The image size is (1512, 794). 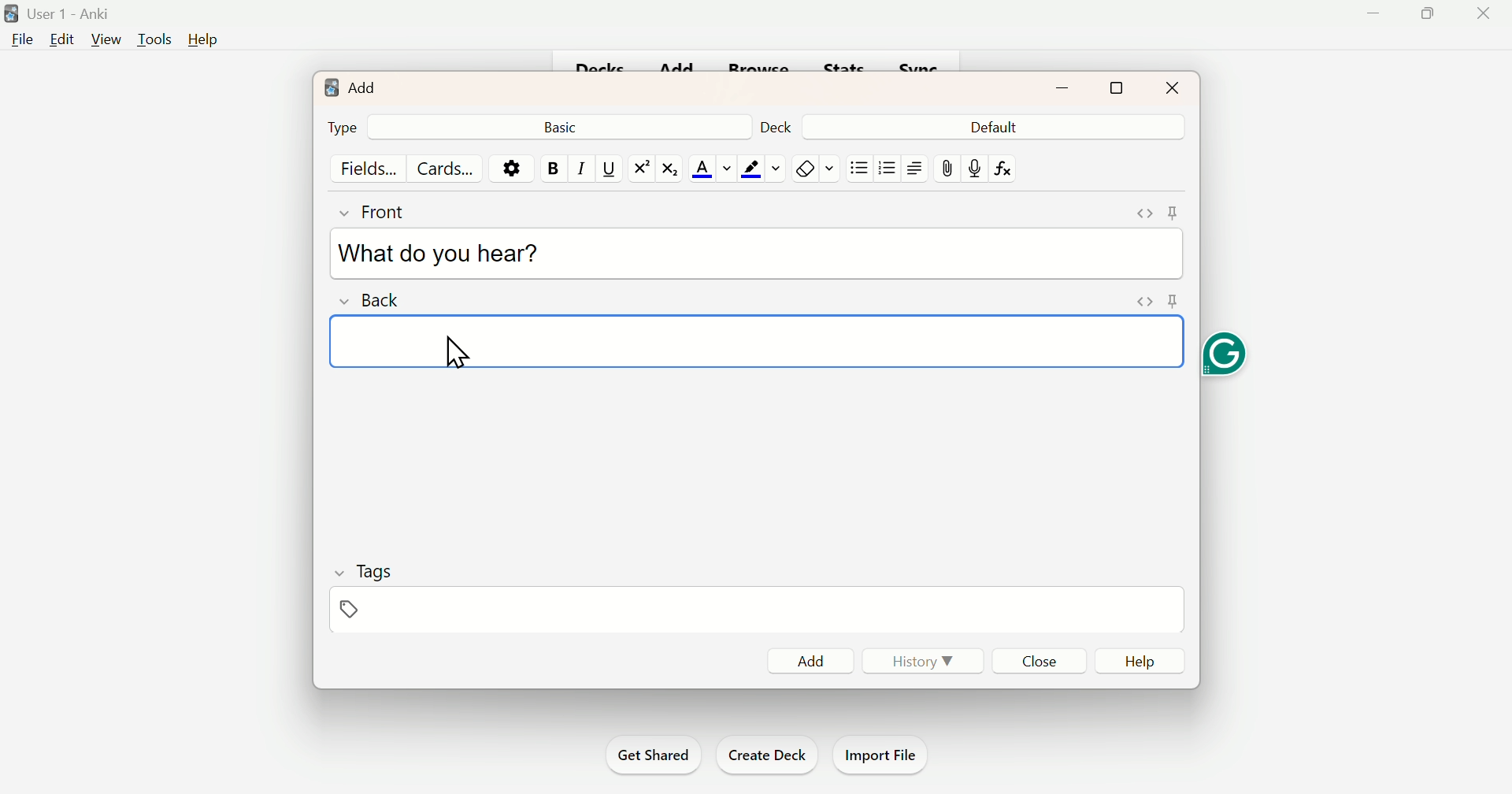 I want to click on pin, so click(x=1175, y=211).